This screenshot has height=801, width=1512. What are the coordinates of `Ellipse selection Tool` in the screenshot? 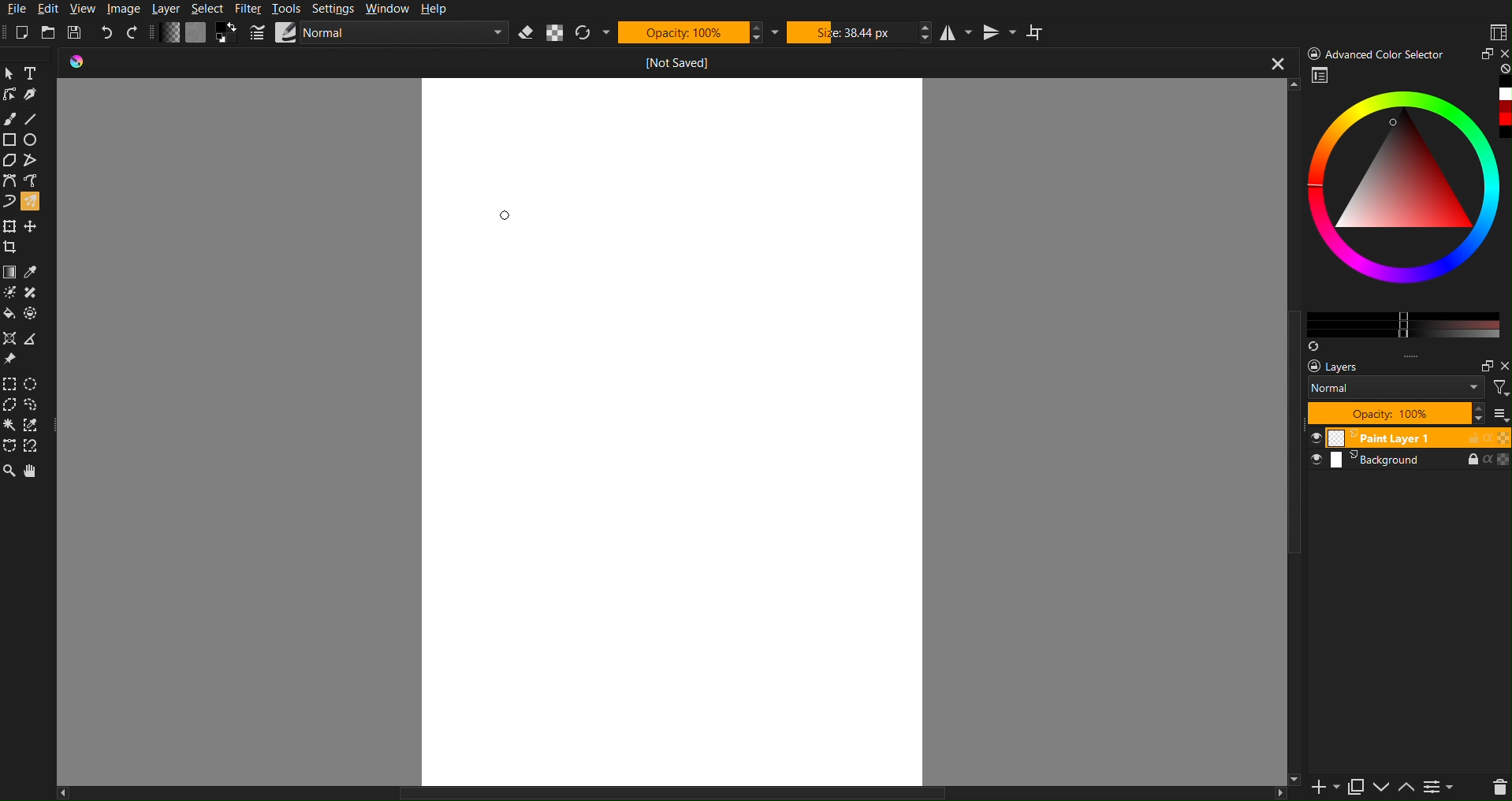 It's located at (36, 384).